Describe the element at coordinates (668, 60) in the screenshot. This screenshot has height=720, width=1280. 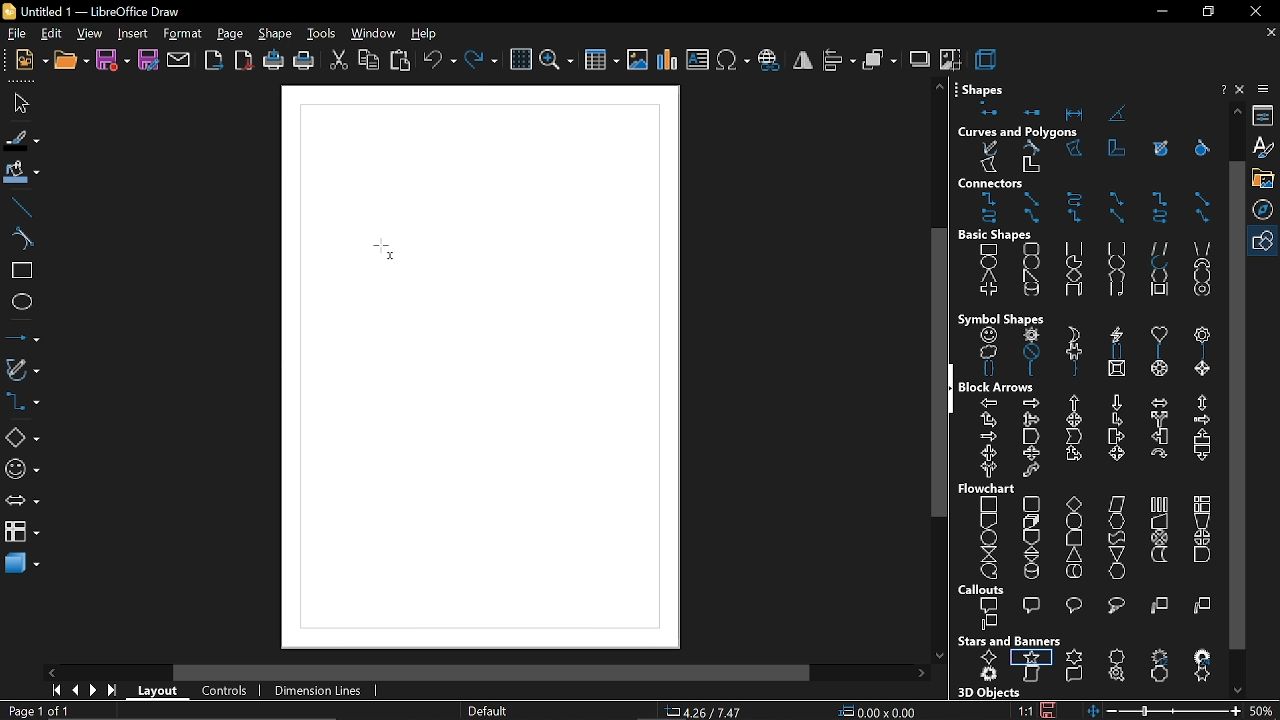
I see `insert chart` at that location.